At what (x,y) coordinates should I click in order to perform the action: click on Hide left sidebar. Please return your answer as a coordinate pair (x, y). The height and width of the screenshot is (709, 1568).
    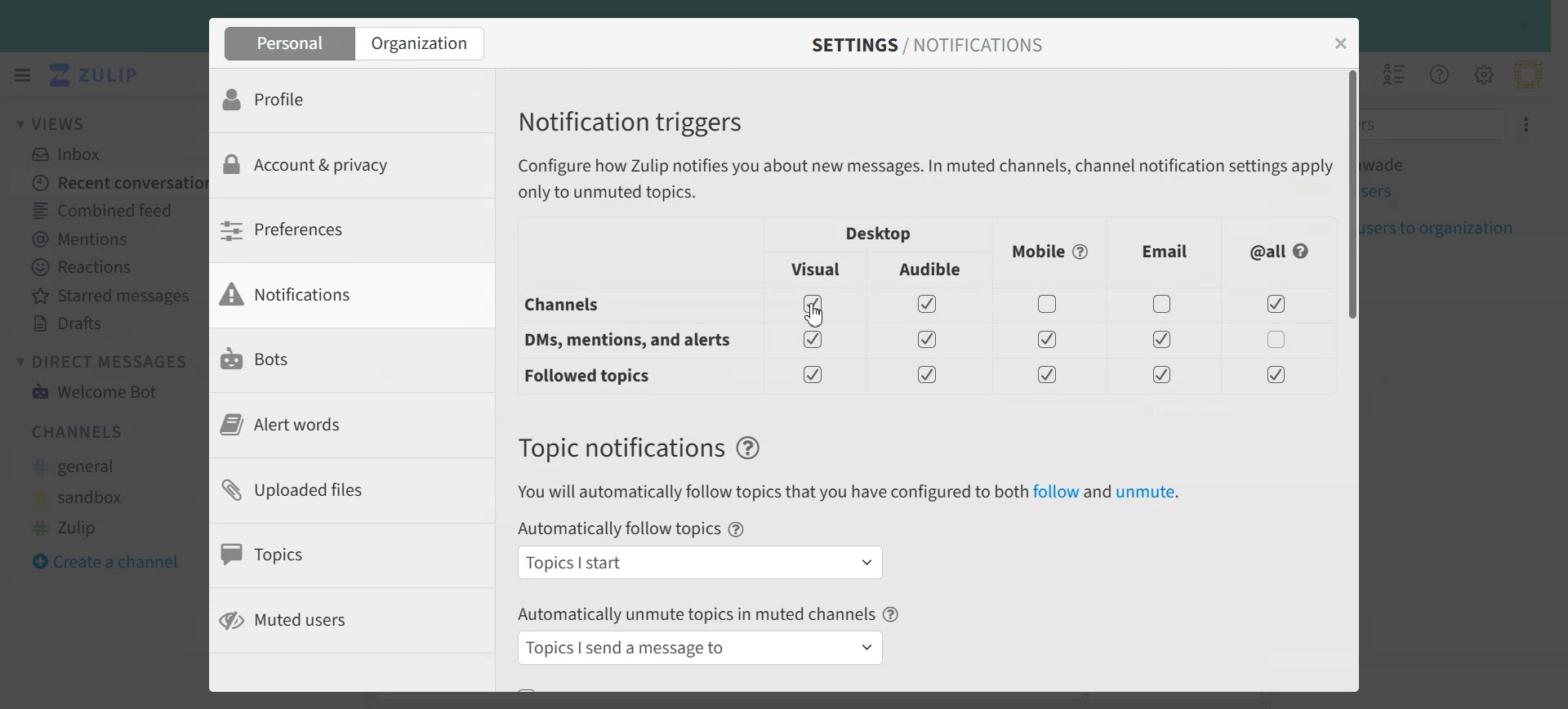
    Looking at the image, I should click on (22, 75).